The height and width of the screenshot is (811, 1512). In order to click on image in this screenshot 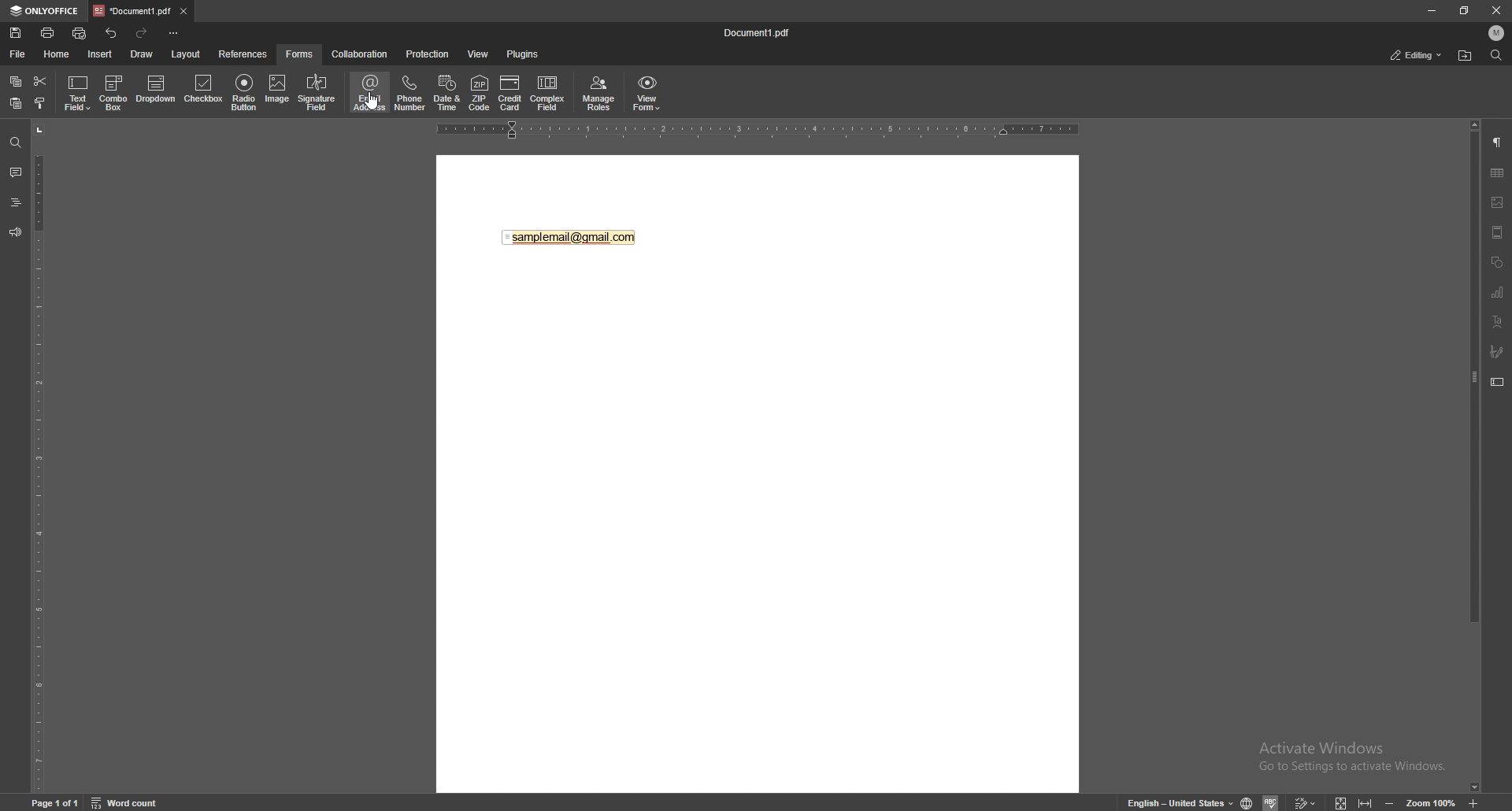, I will do `click(1498, 202)`.